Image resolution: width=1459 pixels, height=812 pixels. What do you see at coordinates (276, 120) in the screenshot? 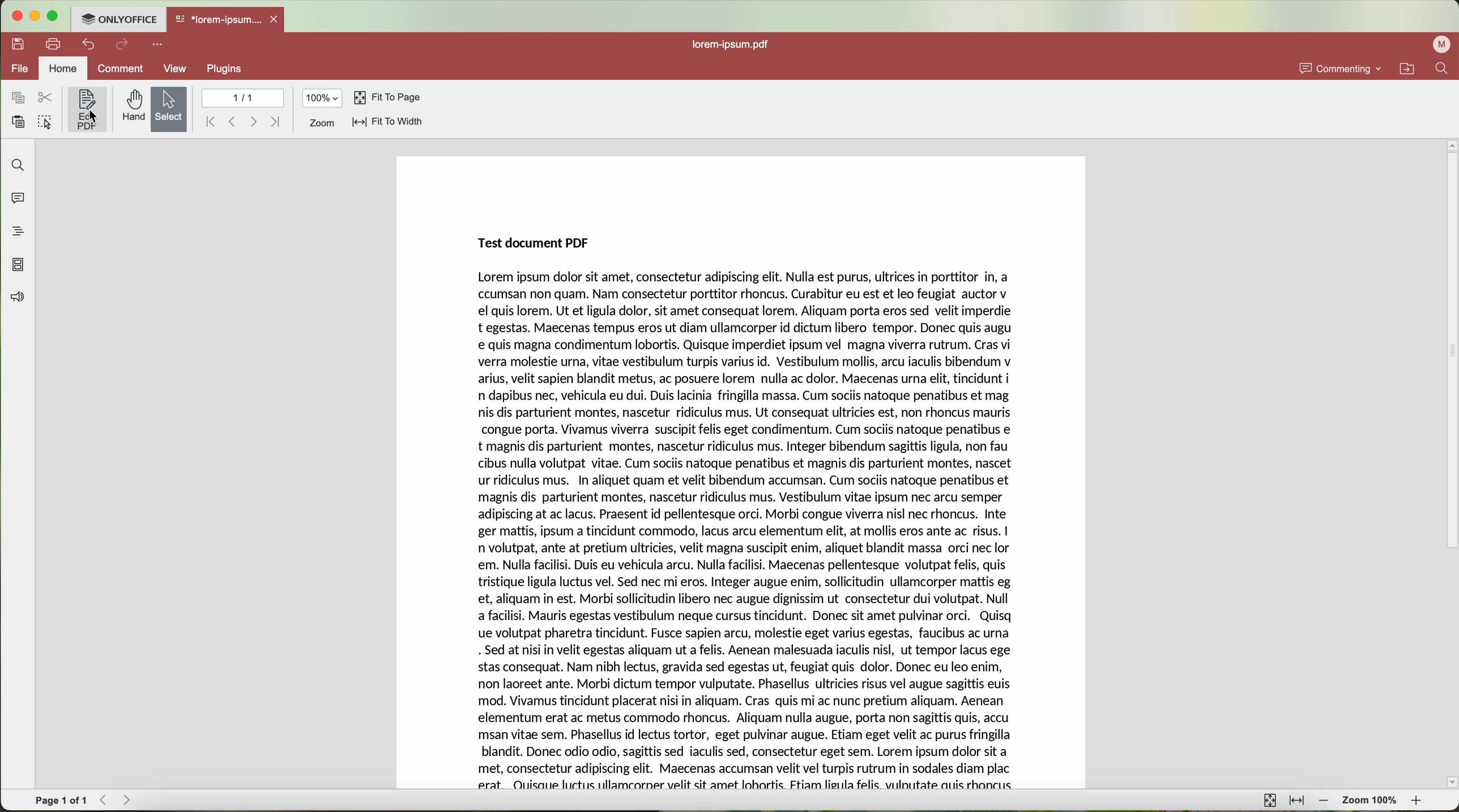
I see `Last page` at bounding box center [276, 120].